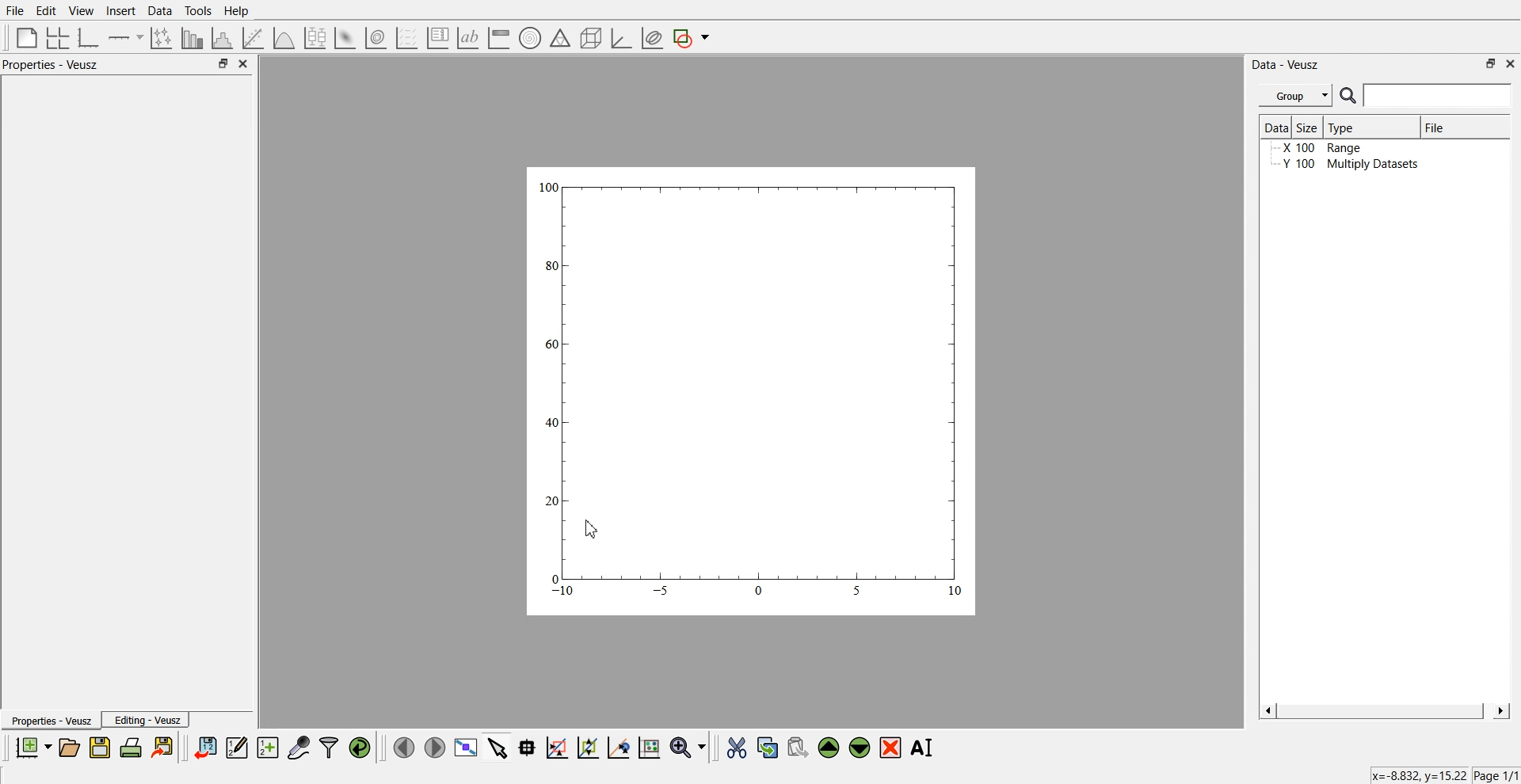 This screenshot has width=1521, height=784. What do you see at coordinates (151, 91) in the screenshot?
I see `enter notes field` at bounding box center [151, 91].